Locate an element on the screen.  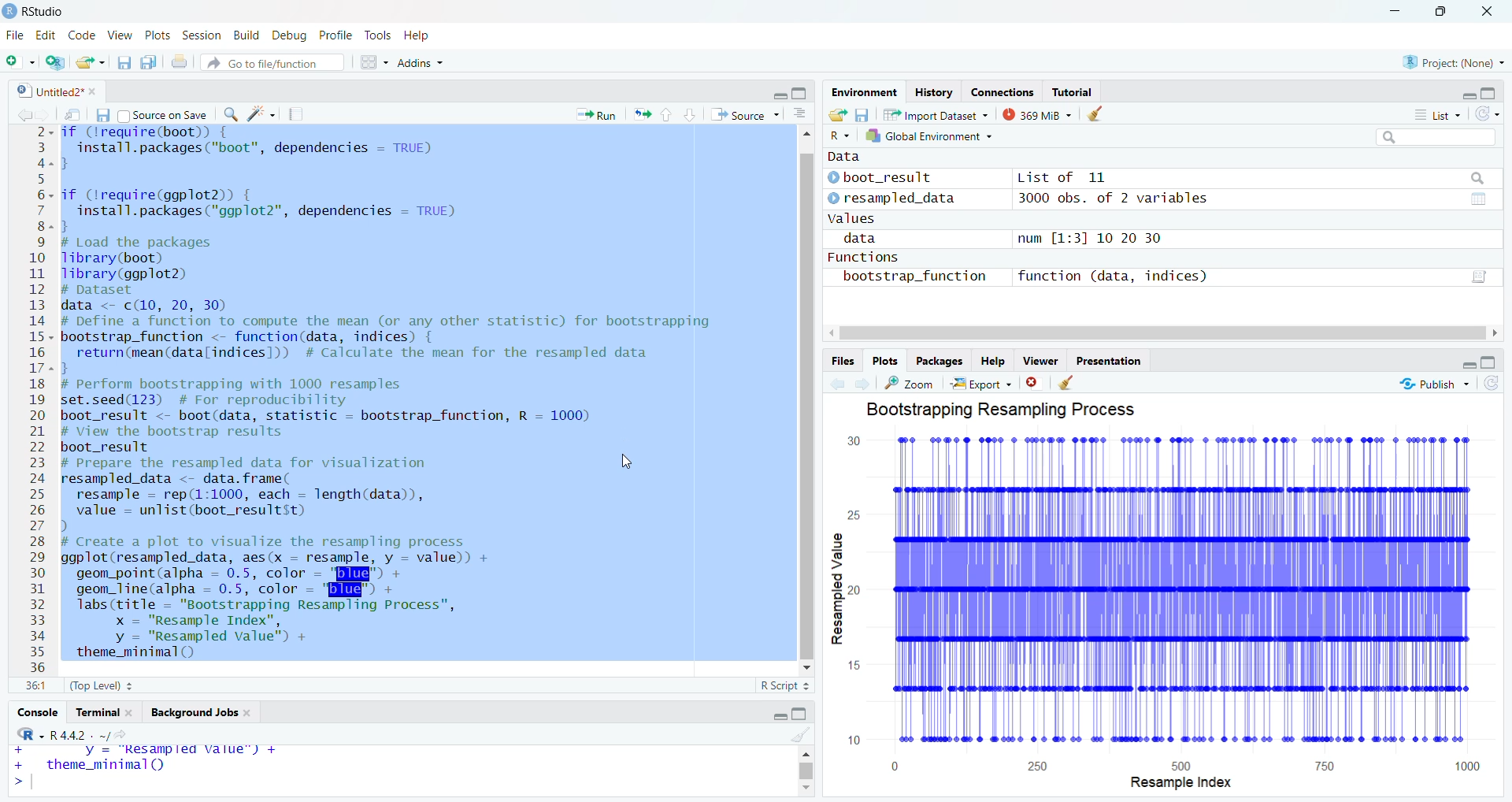
cursor is located at coordinates (626, 462).